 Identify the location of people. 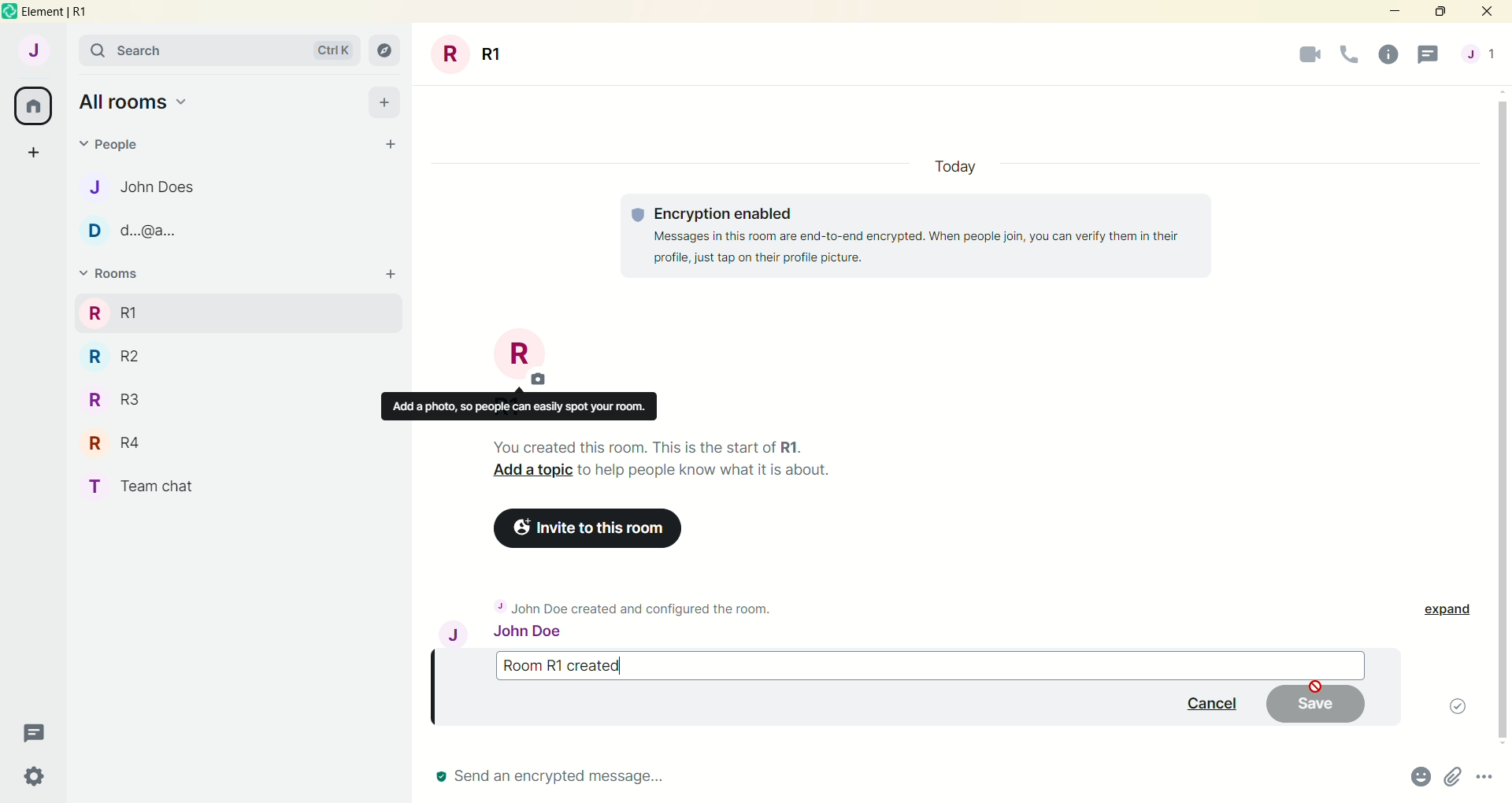
(1480, 53).